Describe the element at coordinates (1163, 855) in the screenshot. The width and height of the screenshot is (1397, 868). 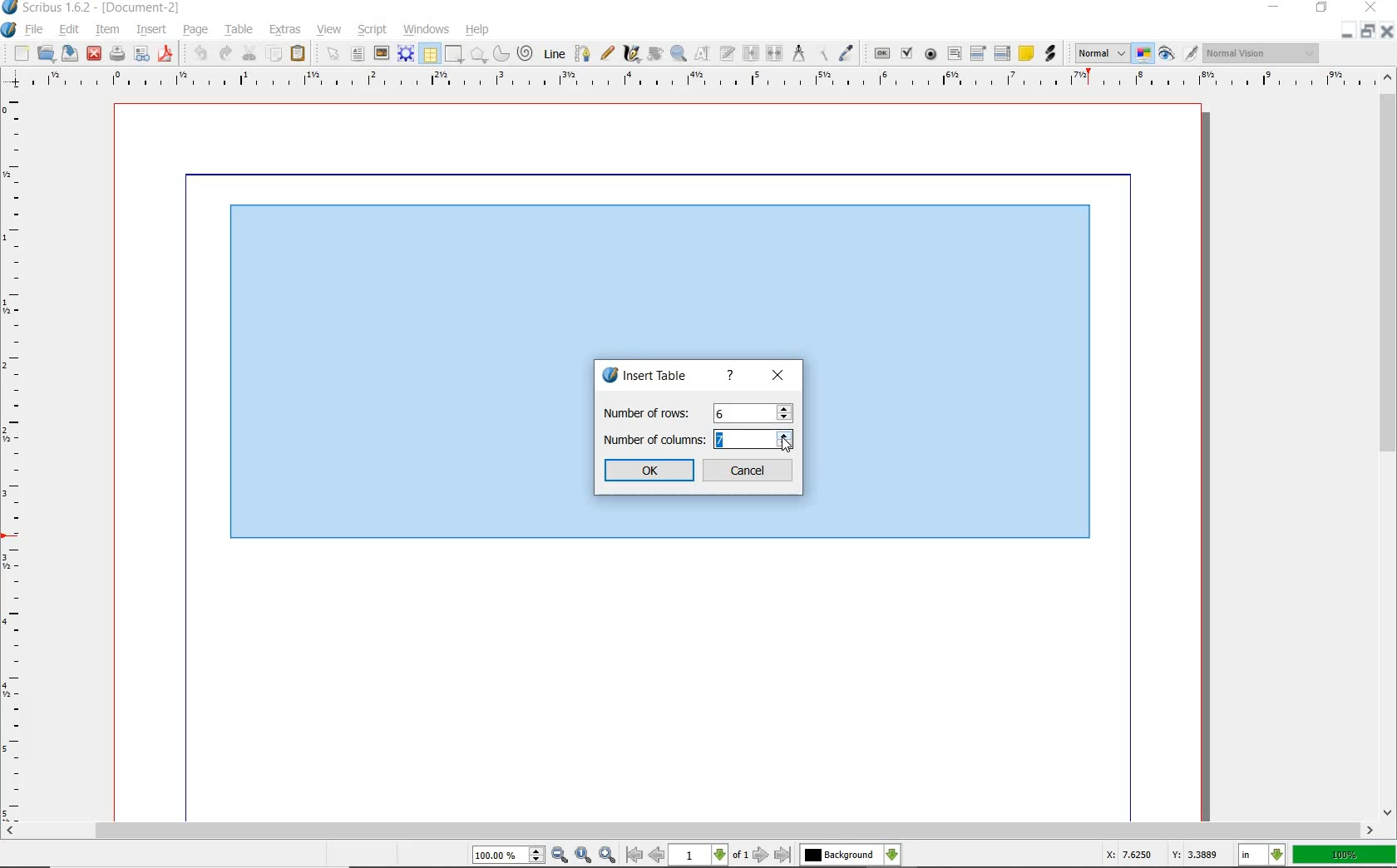
I see `X: 7.6250 Y: 3.3889` at that location.